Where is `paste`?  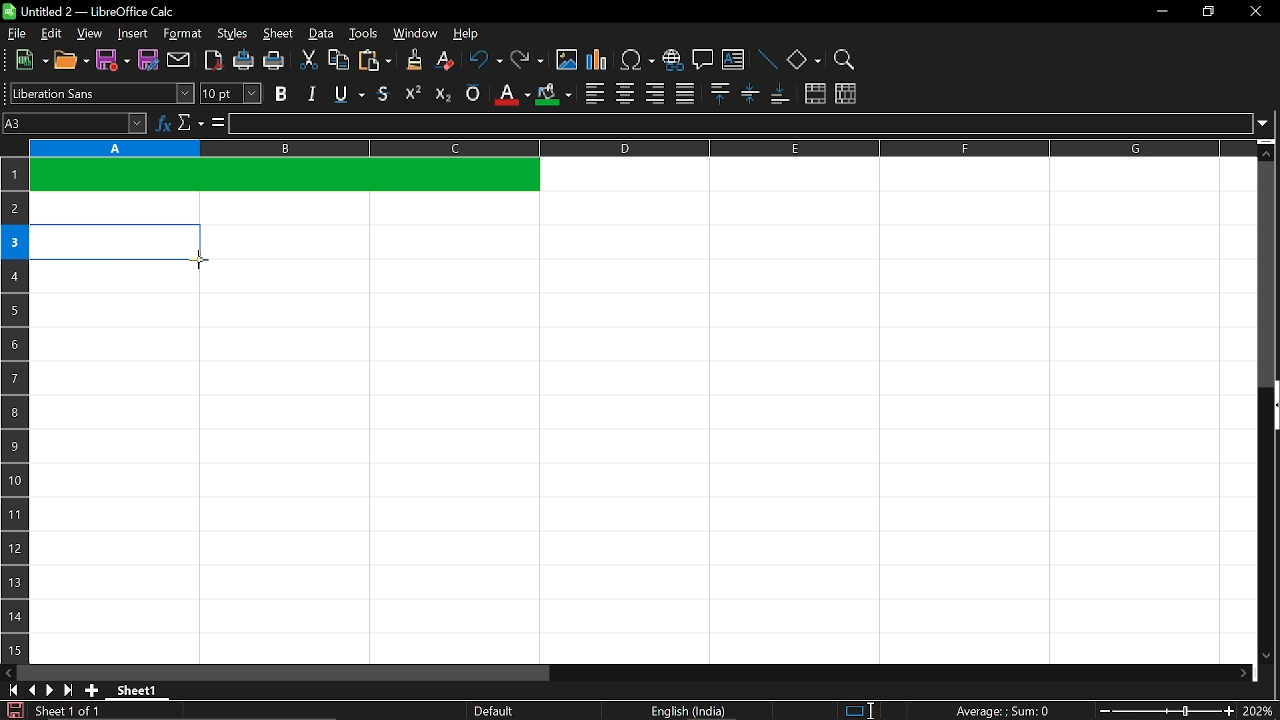 paste is located at coordinates (374, 61).